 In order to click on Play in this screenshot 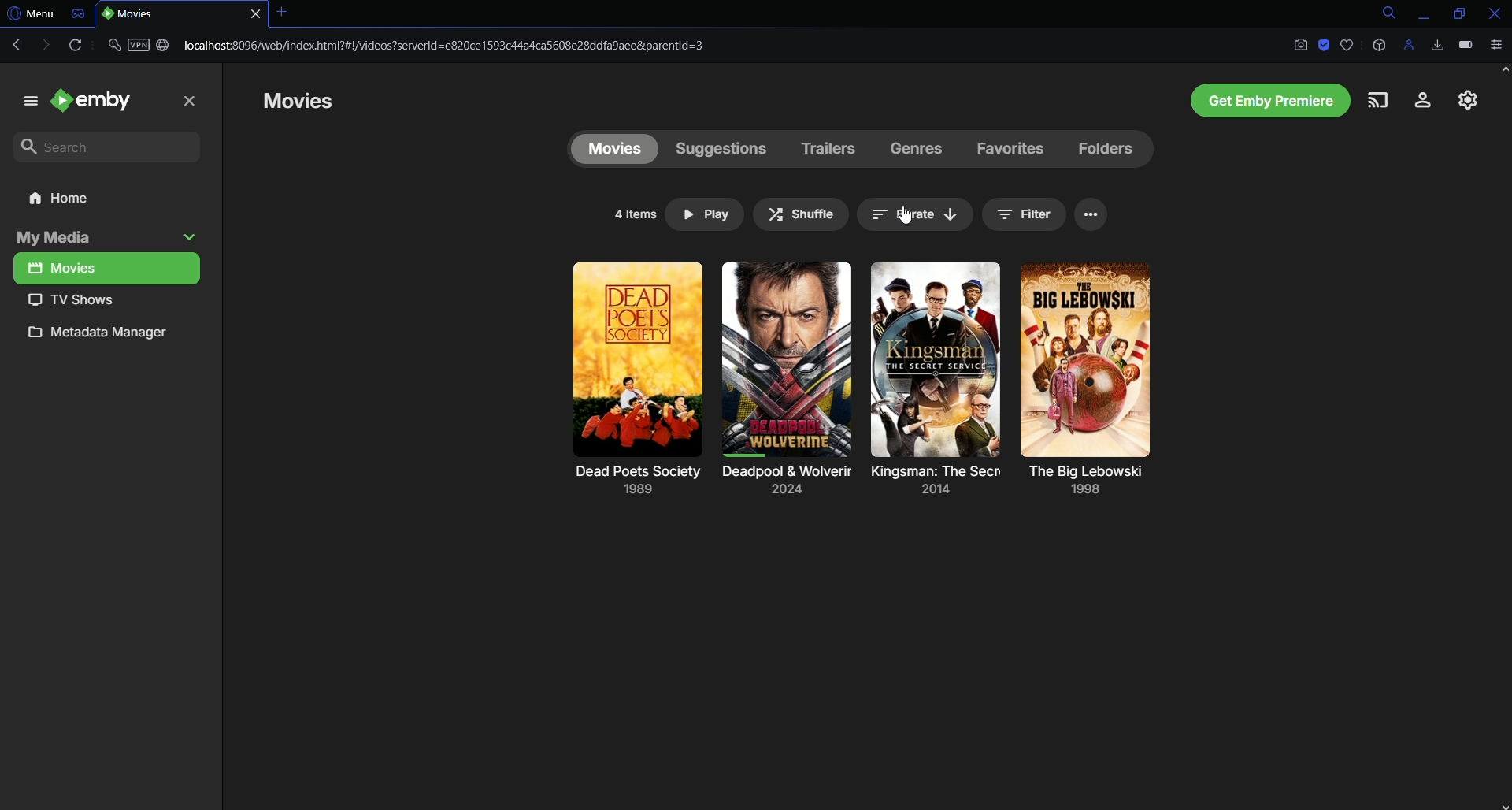, I will do `click(702, 217)`.